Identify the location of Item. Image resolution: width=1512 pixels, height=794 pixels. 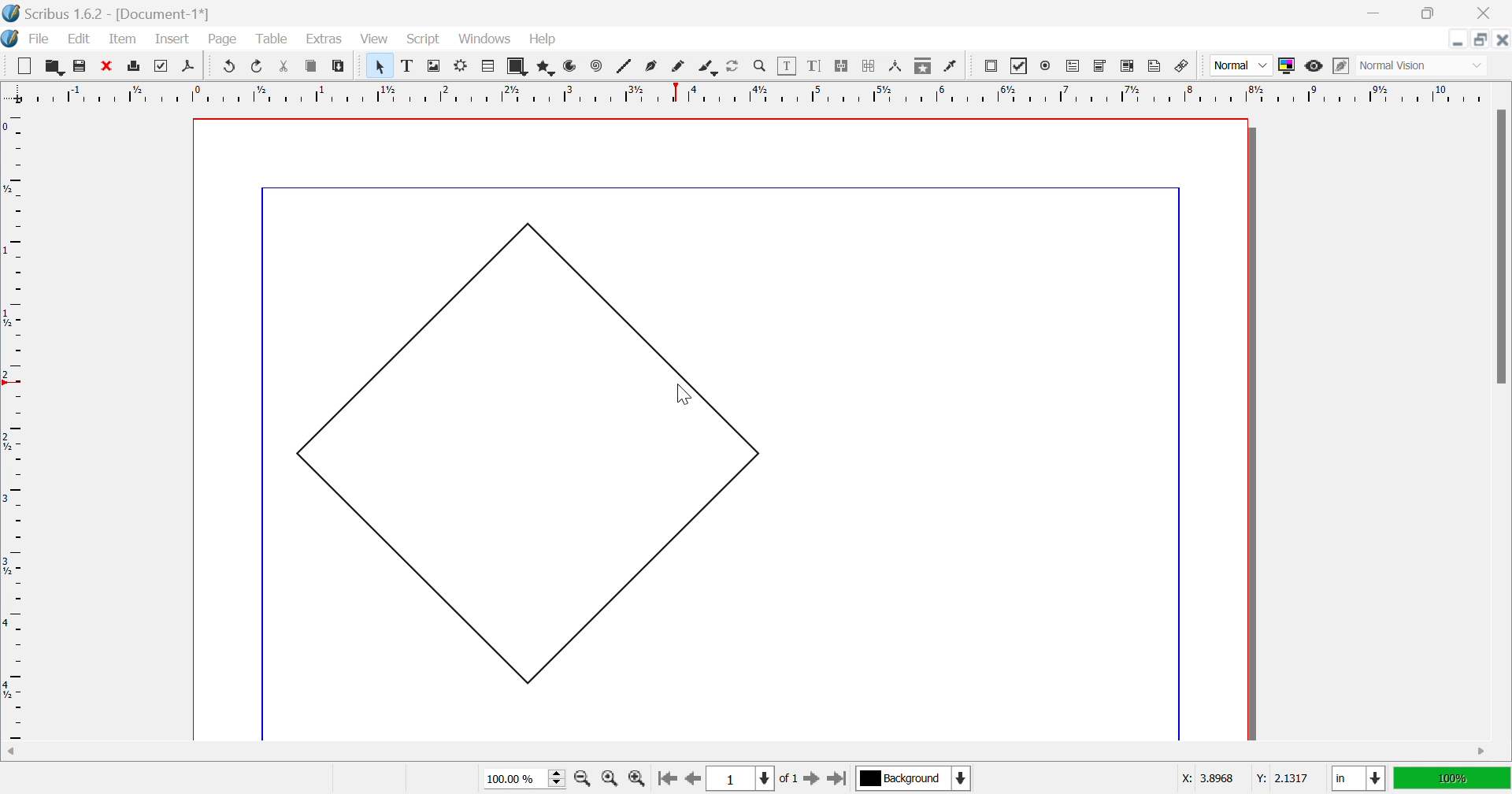
(123, 38).